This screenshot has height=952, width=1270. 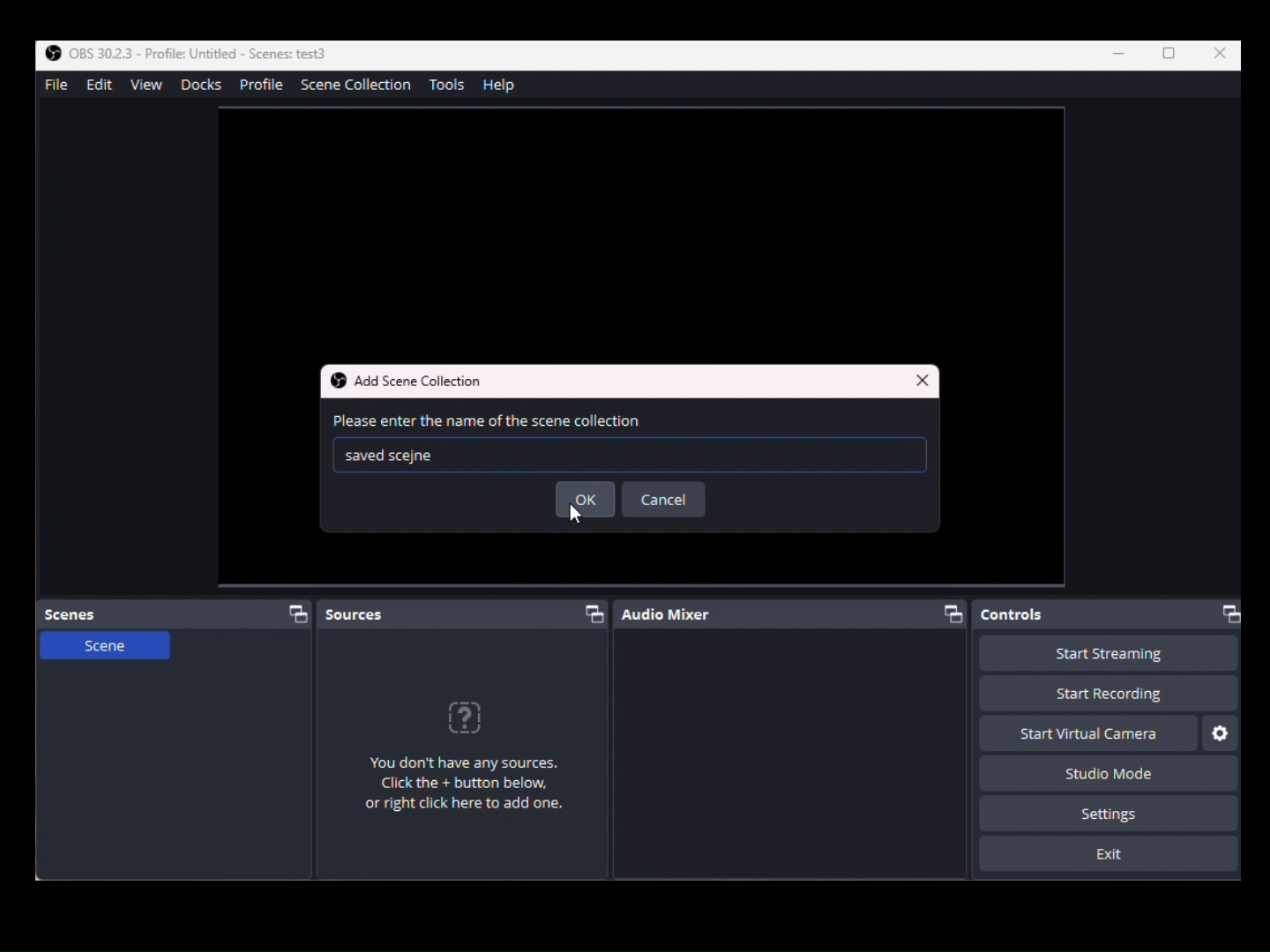 I want to click on File, so click(x=55, y=84).